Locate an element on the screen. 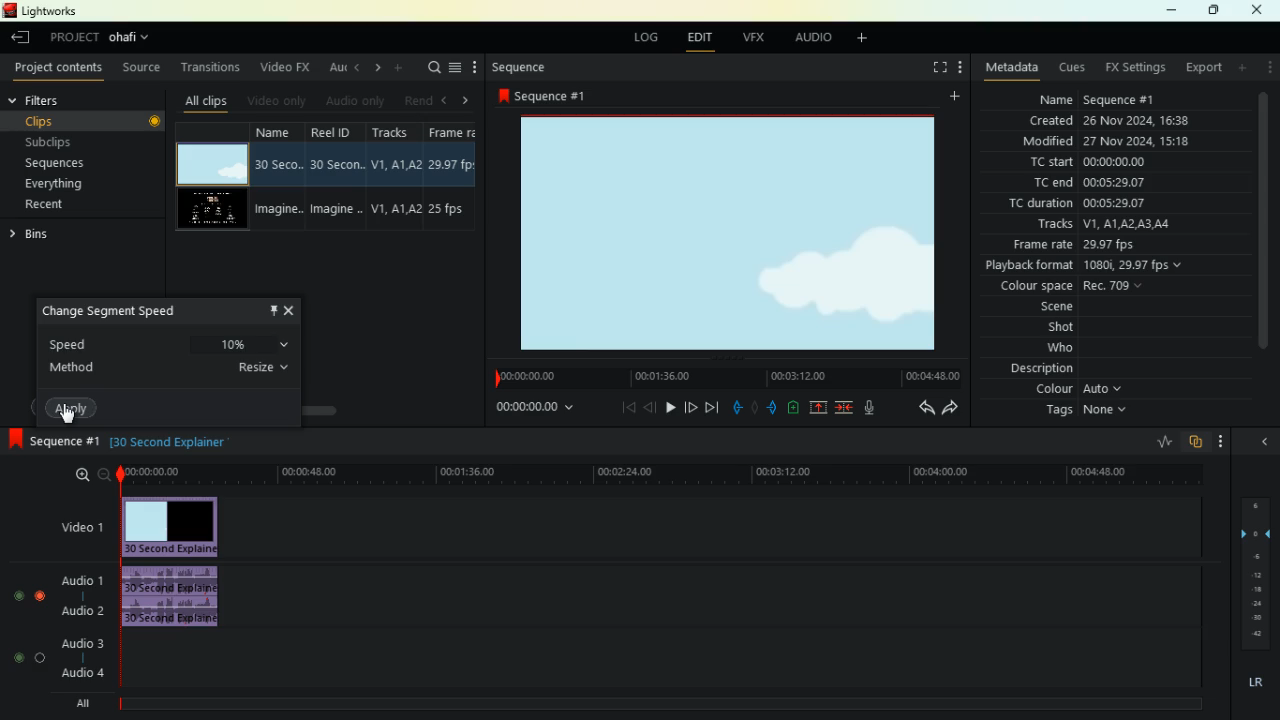  audio4 is located at coordinates (86, 672).